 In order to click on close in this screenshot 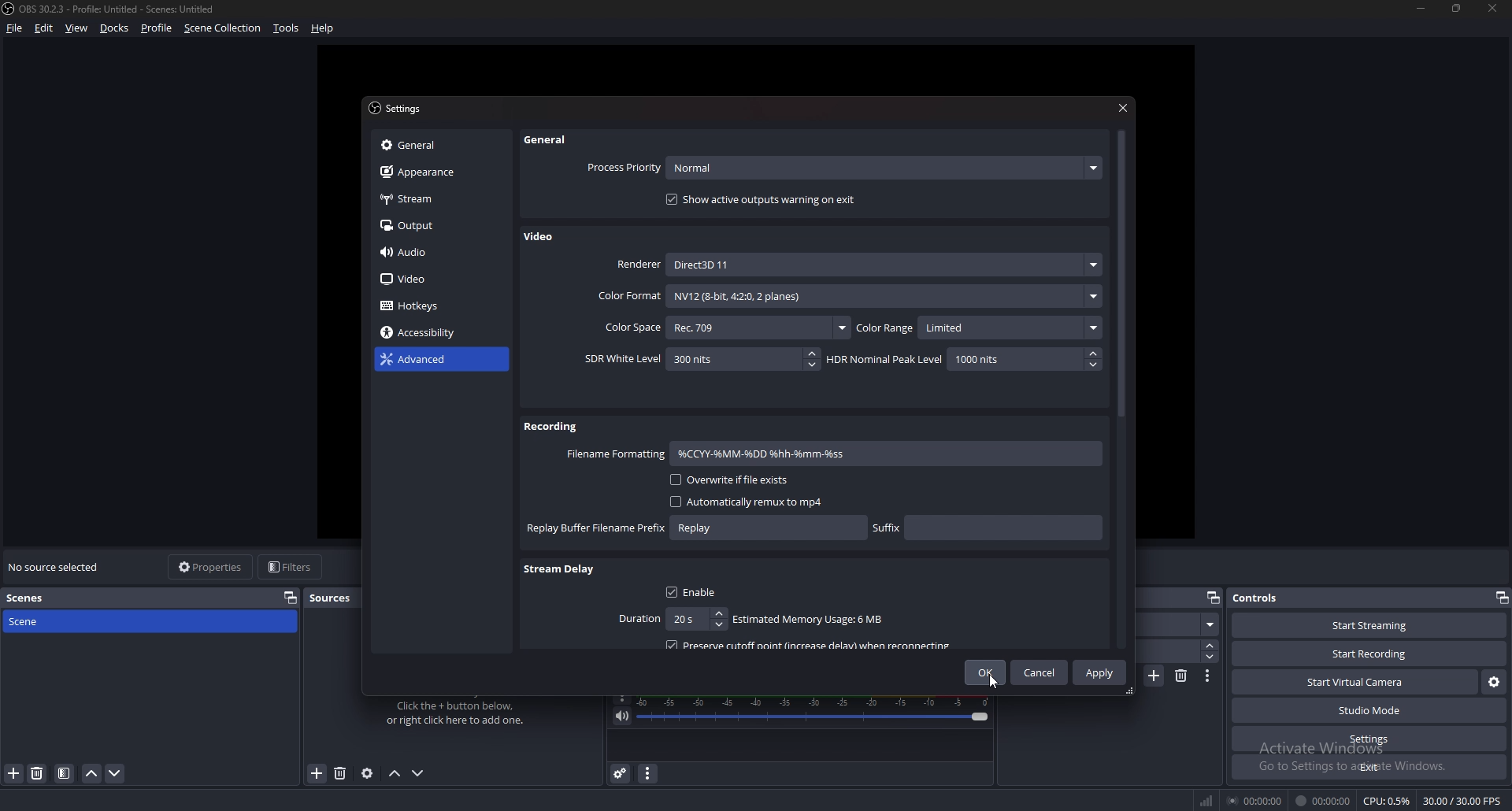, I will do `click(1125, 106)`.